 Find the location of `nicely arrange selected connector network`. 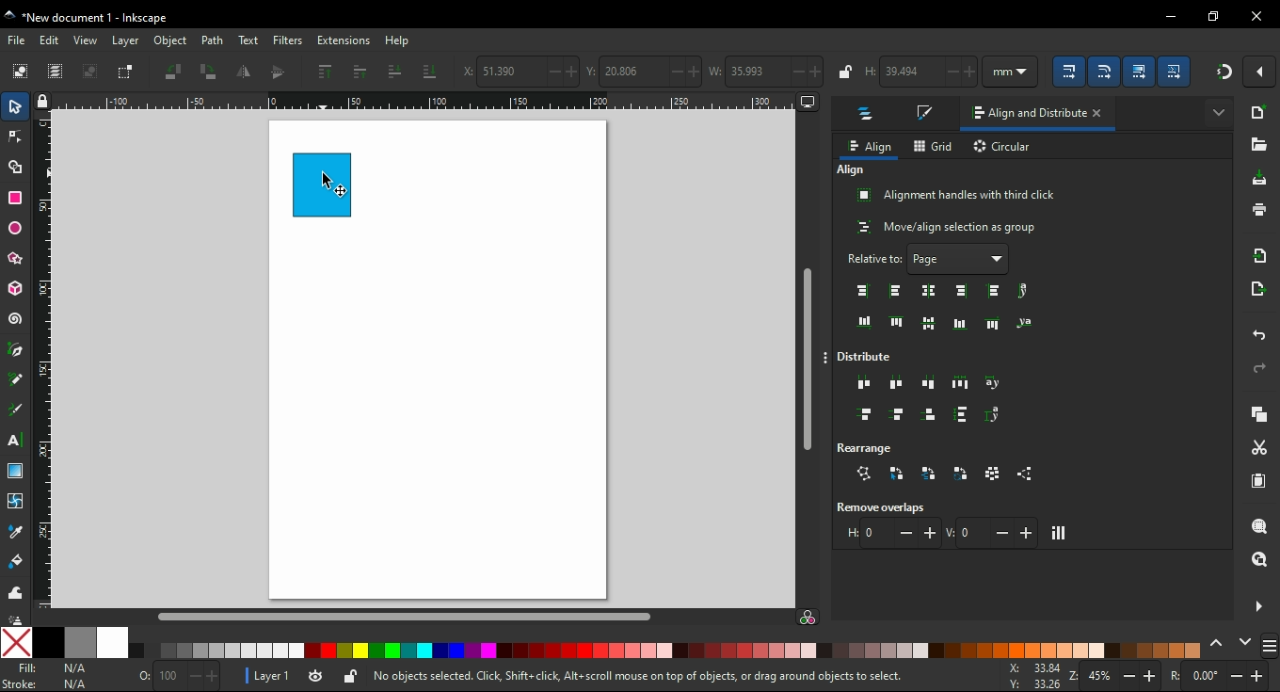

nicely arrange selected connector network is located at coordinates (864, 474).